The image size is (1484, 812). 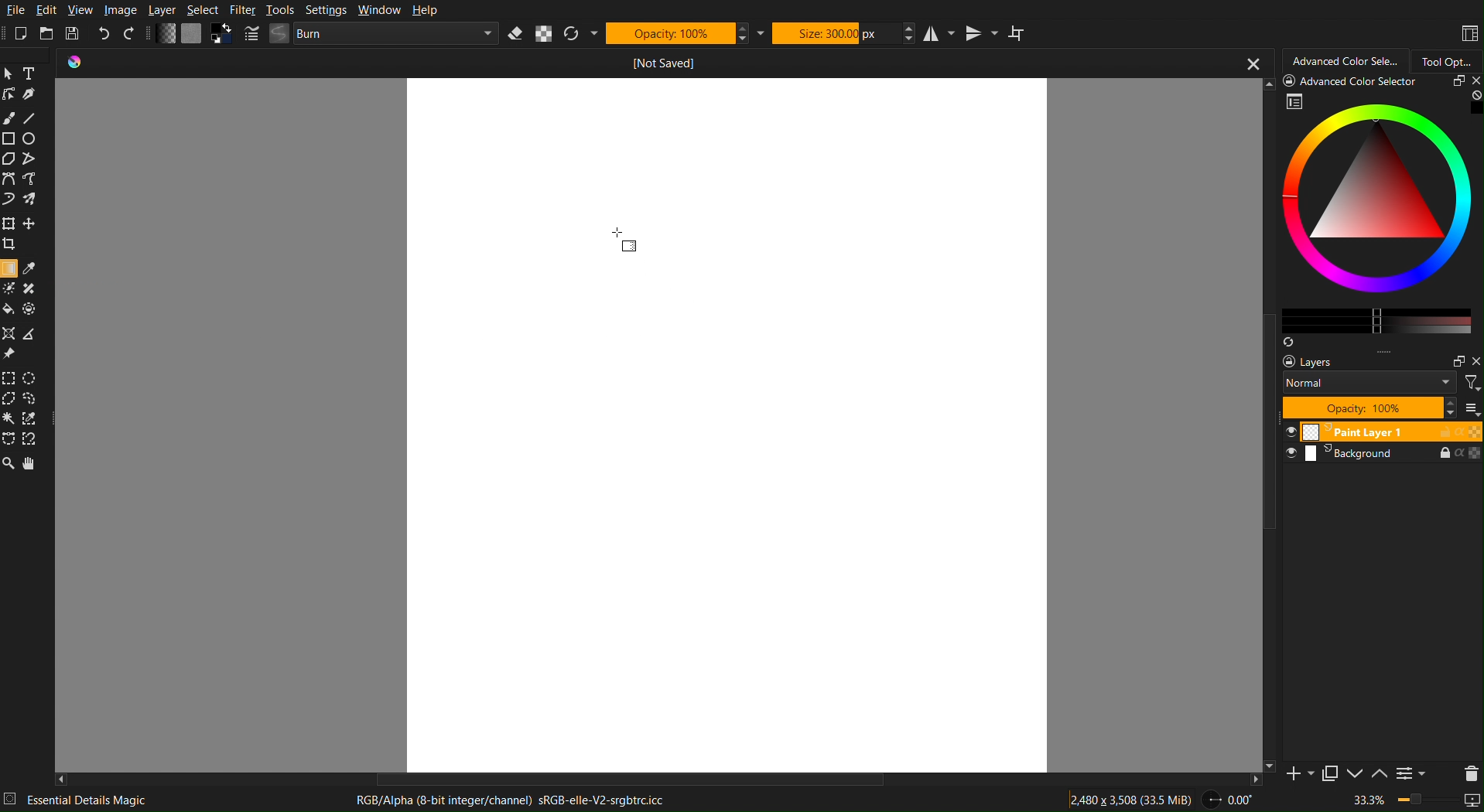 What do you see at coordinates (660, 63) in the screenshot?
I see `Current document` at bounding box center [660, 63].